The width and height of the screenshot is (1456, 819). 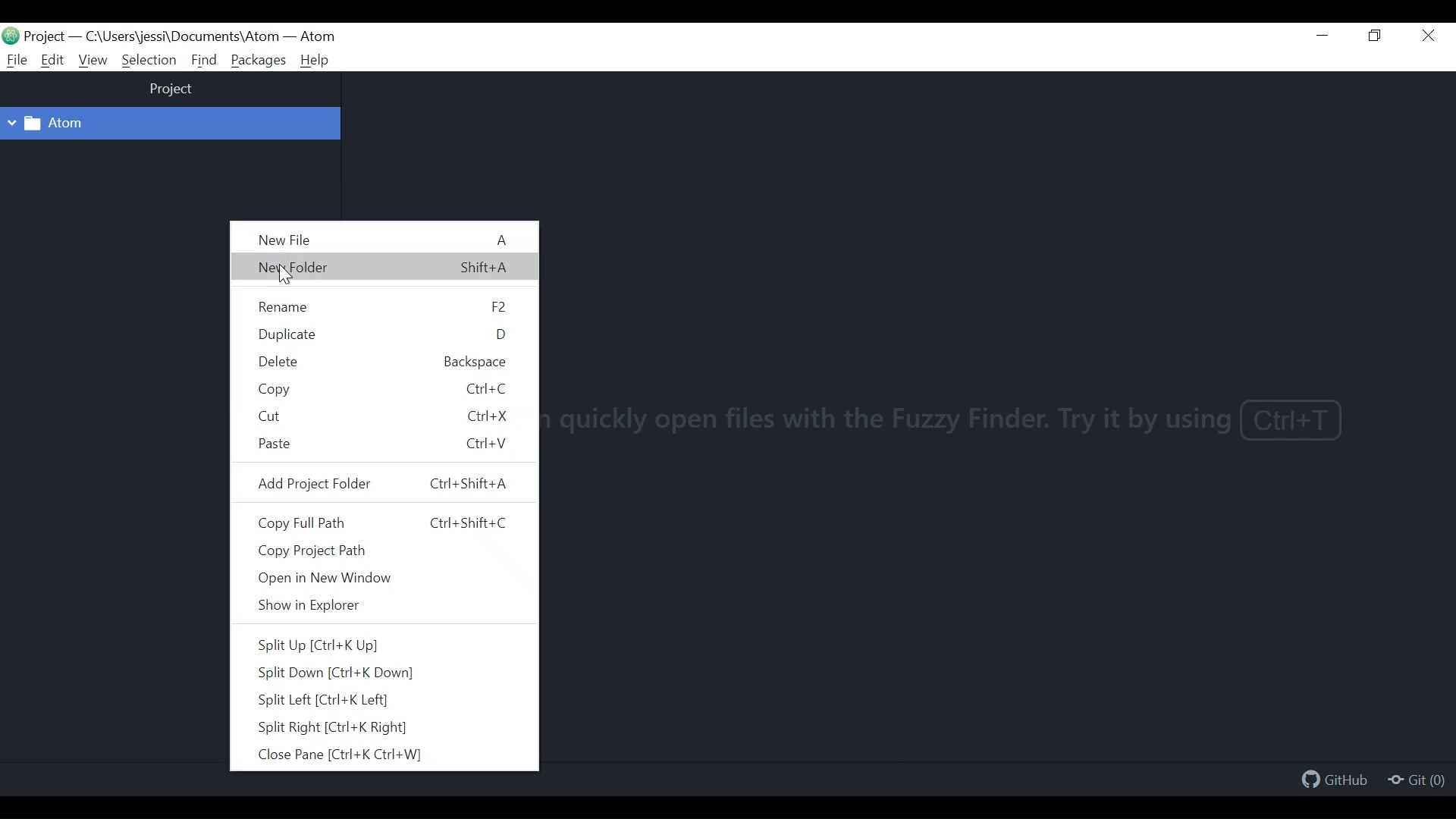 I want to click on Ctrl+X, so click(x=486, y=416).